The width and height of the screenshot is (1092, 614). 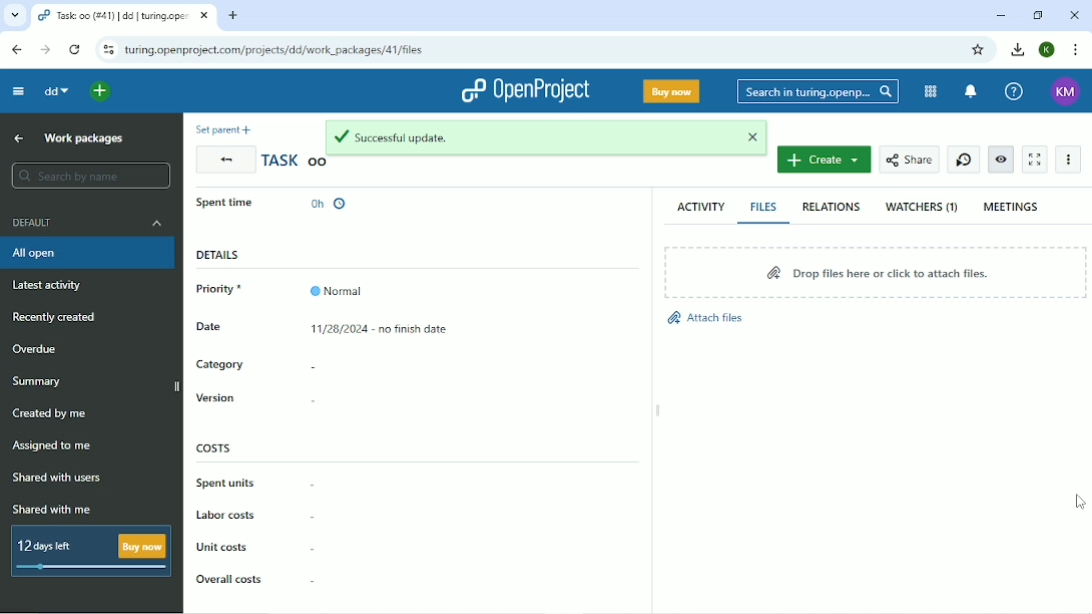 What do you see at coordinates (39, 348) in the screenshot?
I see `Overdue` at bounding box center [39, 348].